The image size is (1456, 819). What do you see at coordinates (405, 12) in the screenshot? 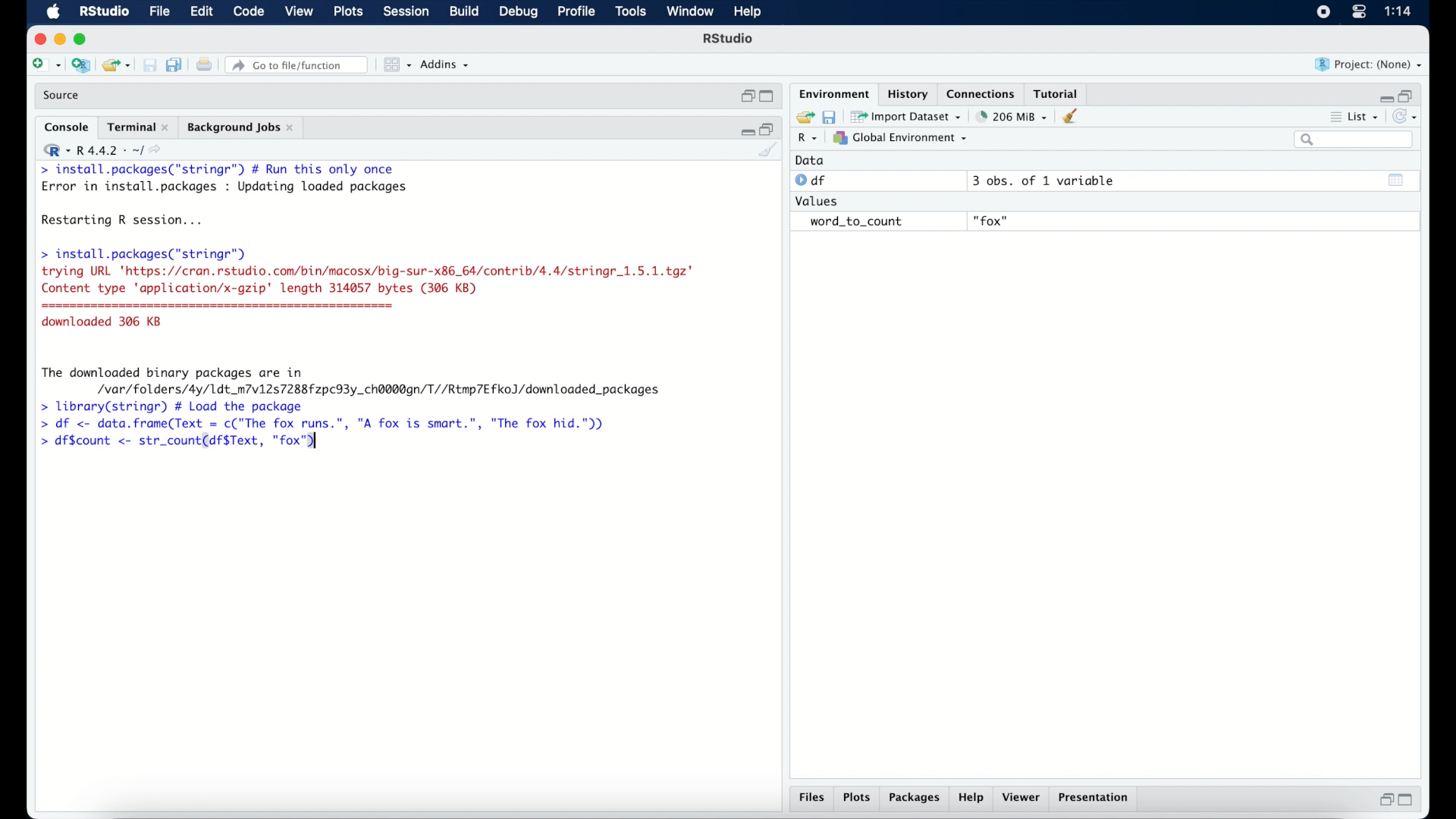
I see `session` at bounding box center [405, 12].